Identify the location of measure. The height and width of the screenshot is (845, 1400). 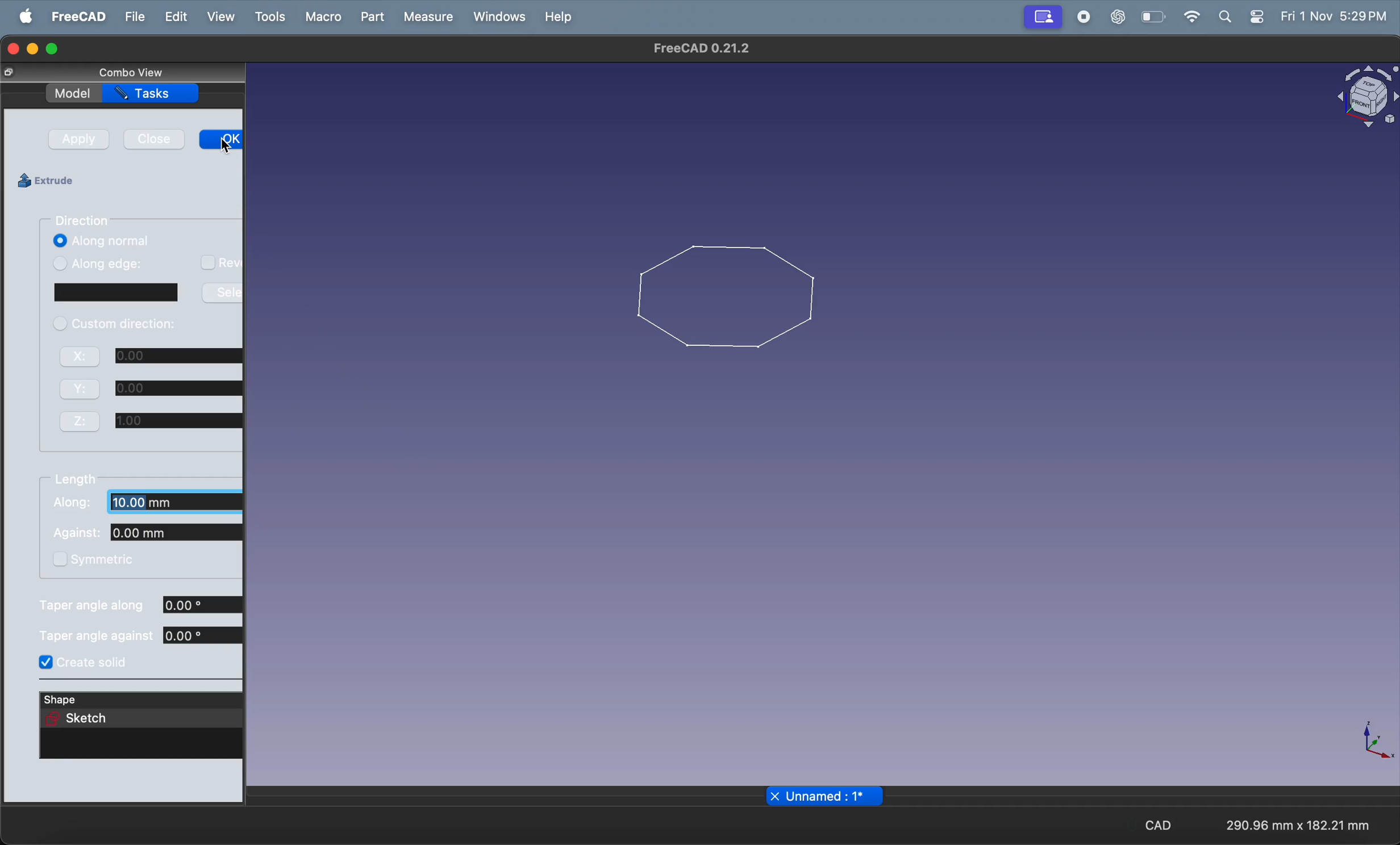
(429, 16).